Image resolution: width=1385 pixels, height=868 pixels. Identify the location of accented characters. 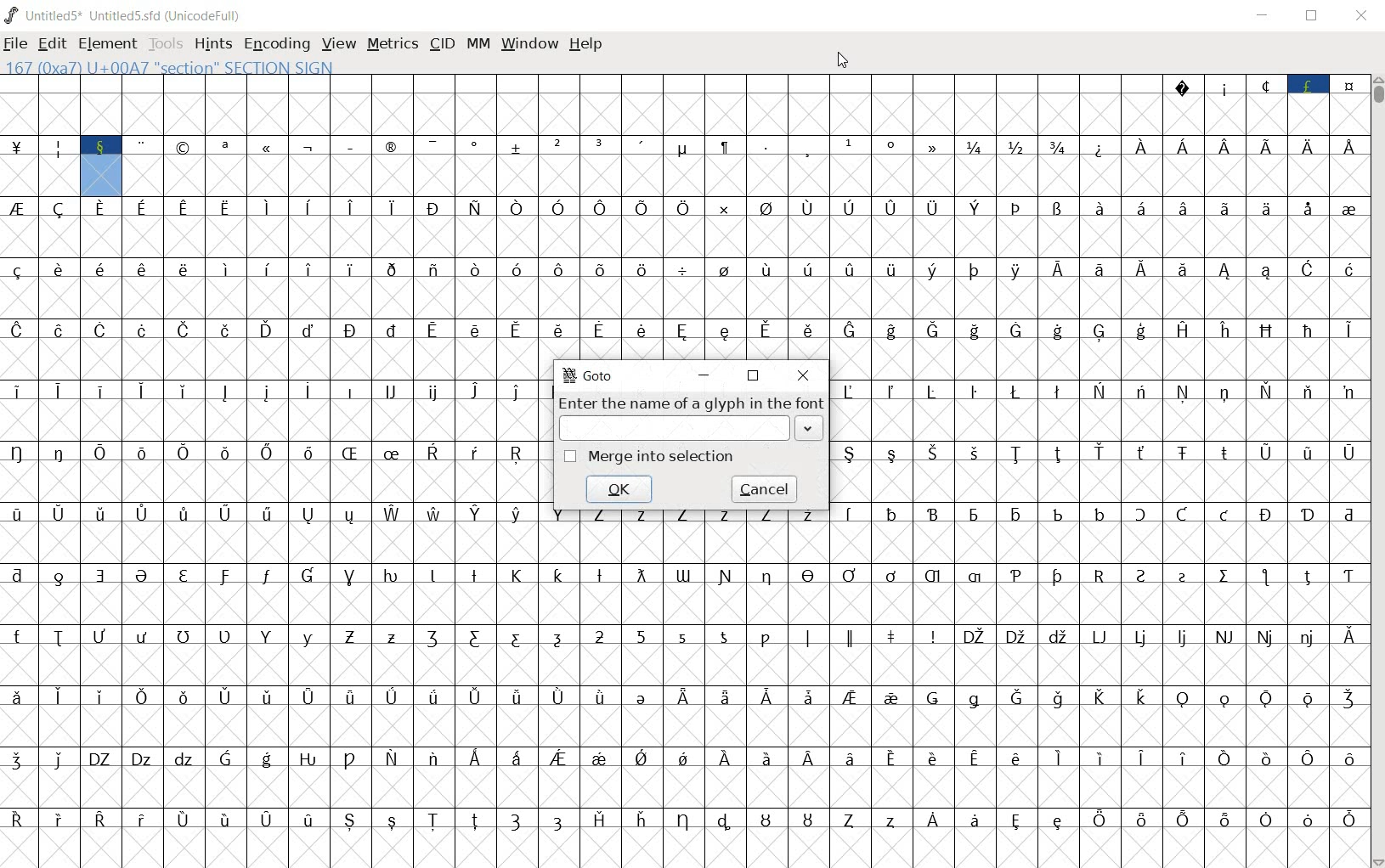
(889, 533).